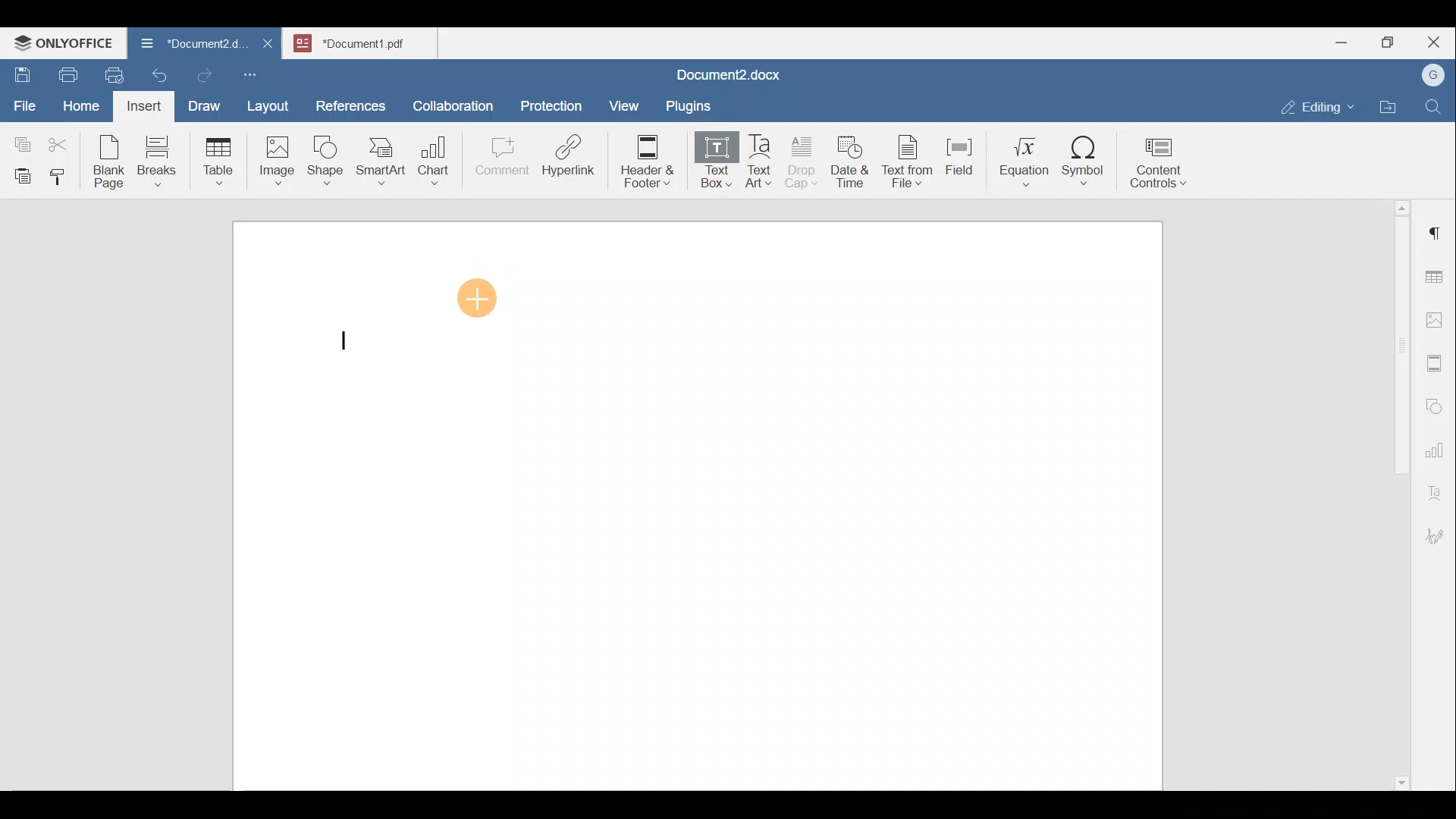 The height and width of the screenshot is (819, 1456). What do you see at coordinates (1437, 275) in the screenshot?
I see `Table settings` at bounding box center [1437, 275].